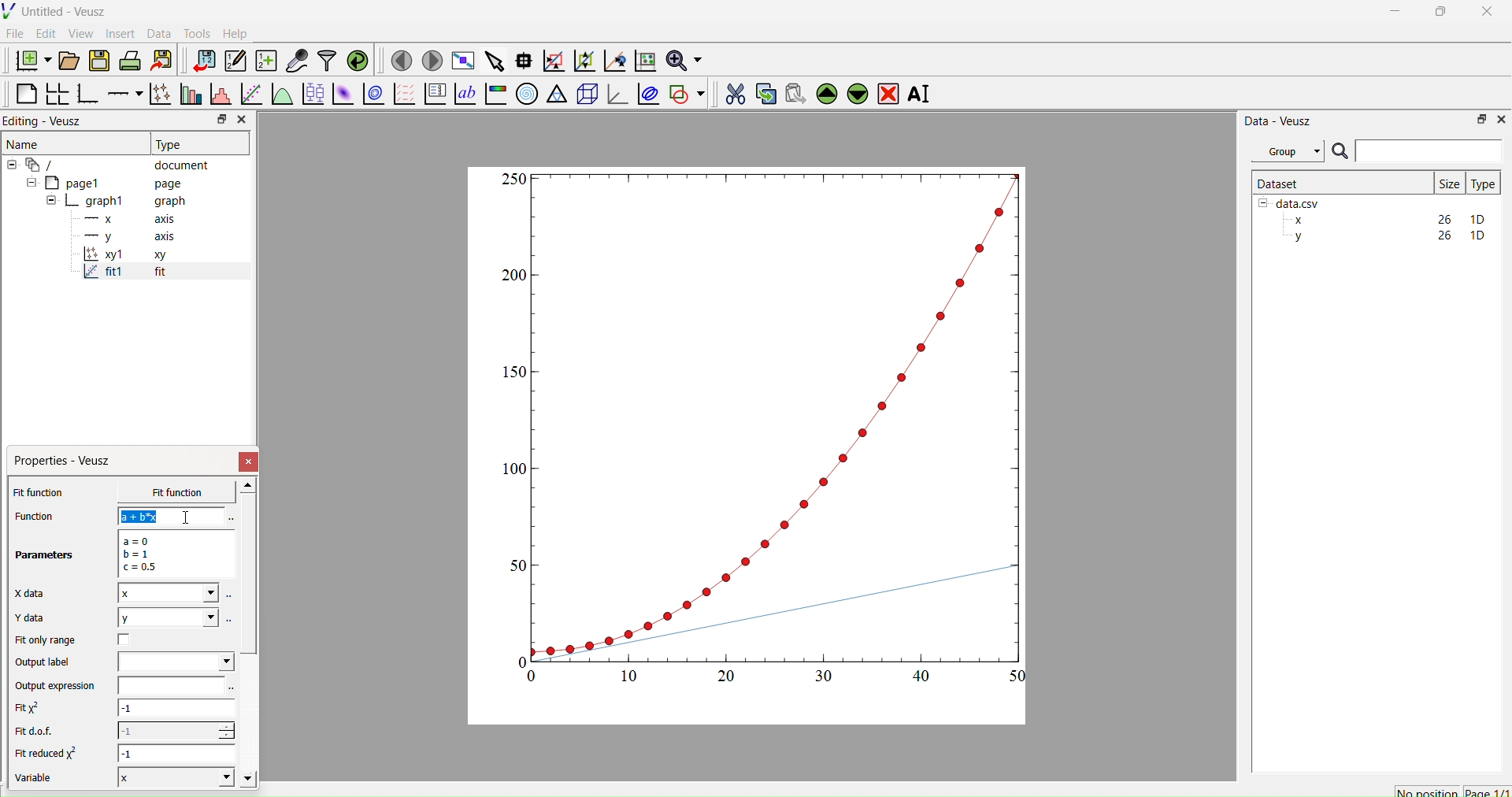 This screenshot has width=1512, height=797. Describe the element at coordinates (233, 33) in the screenshot. I see `Help` at that location.